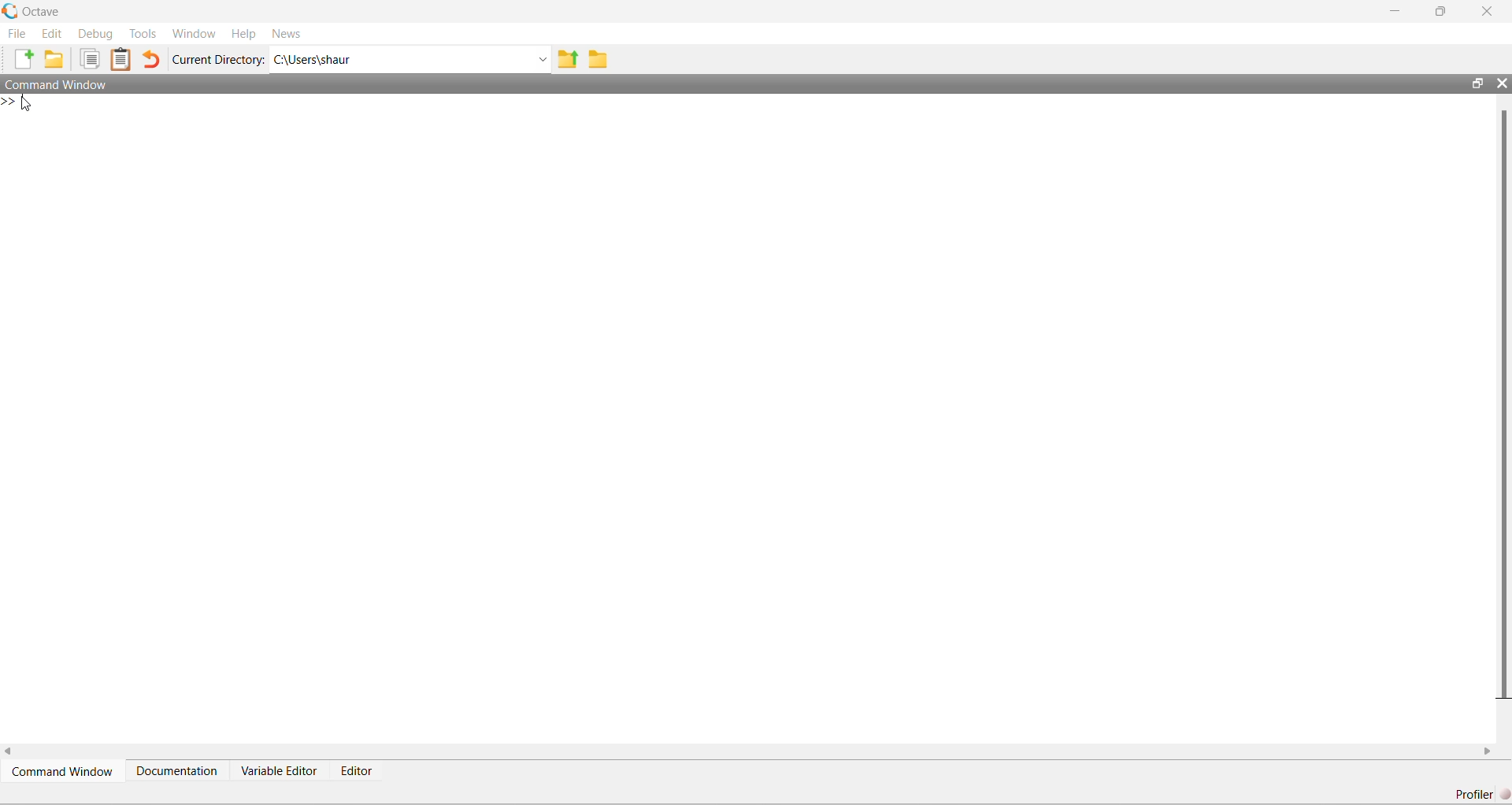 The height and width of the screenshot is (805, 1512). What do you see at coordinates (358, 771) in the screenshot?
I see `Editor` at bounding box center [358, 771].